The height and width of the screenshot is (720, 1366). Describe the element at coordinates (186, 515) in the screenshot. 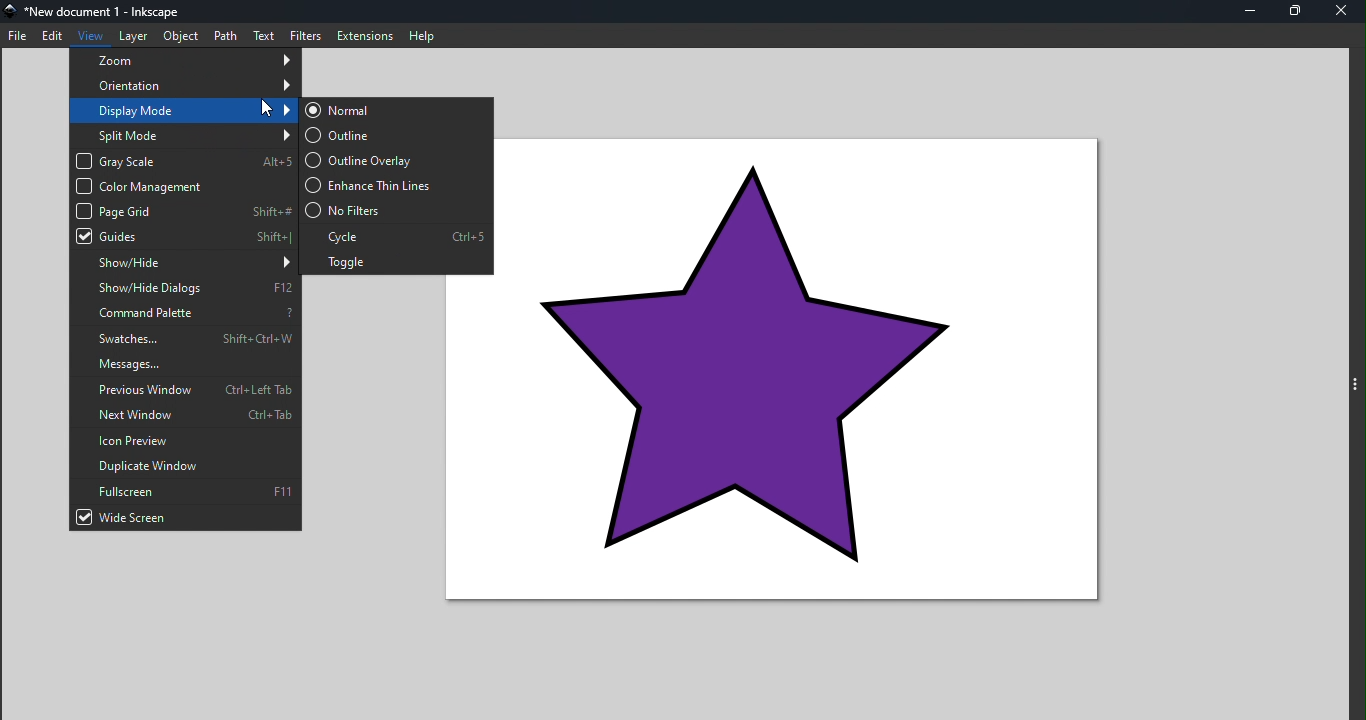

I see `Wide screen` at that location.